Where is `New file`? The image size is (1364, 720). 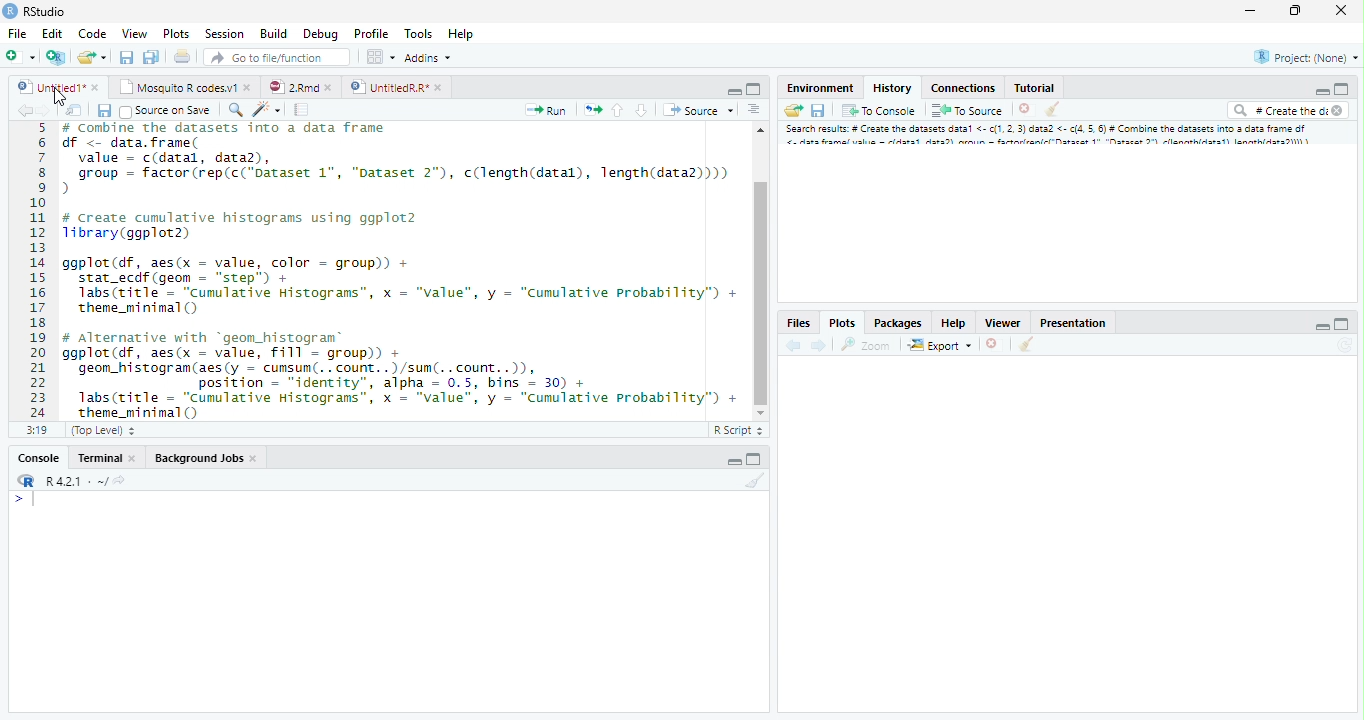
New file is located at coordinates (20, 55).